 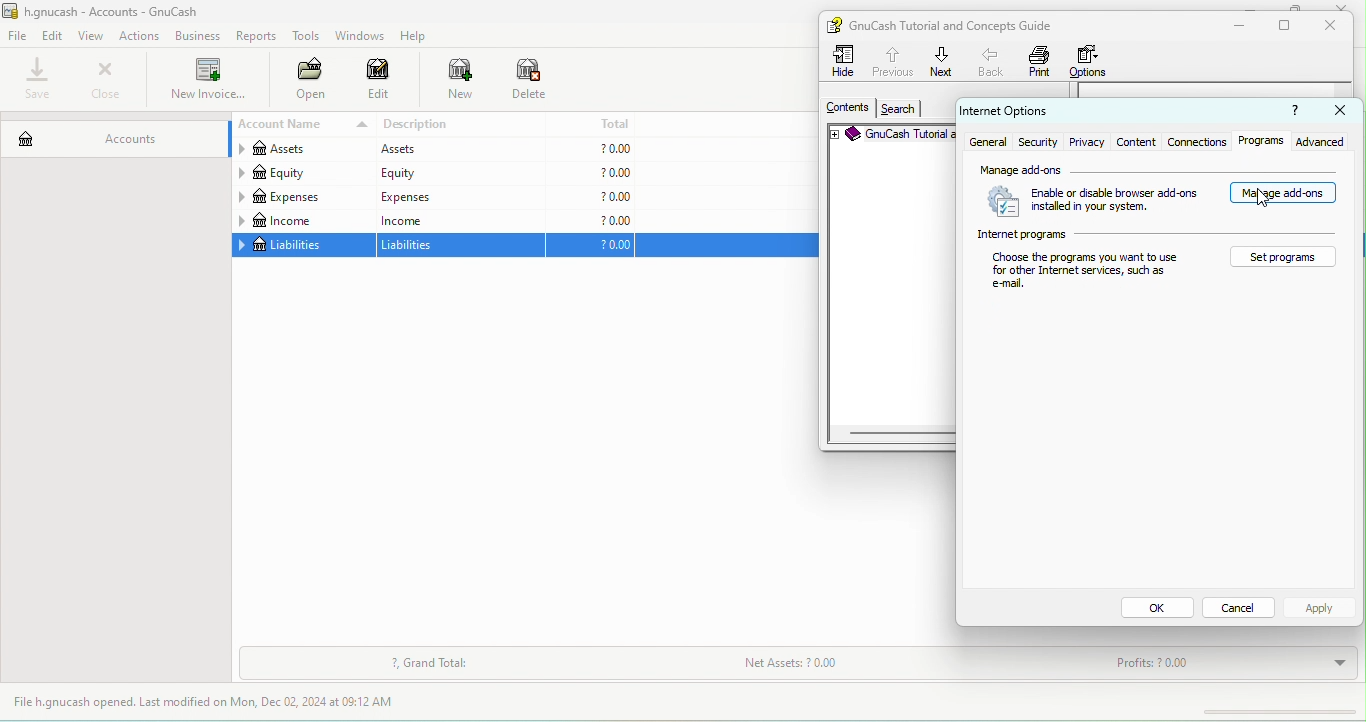 I want to click on ?0.00, so click(x=590, y=220).